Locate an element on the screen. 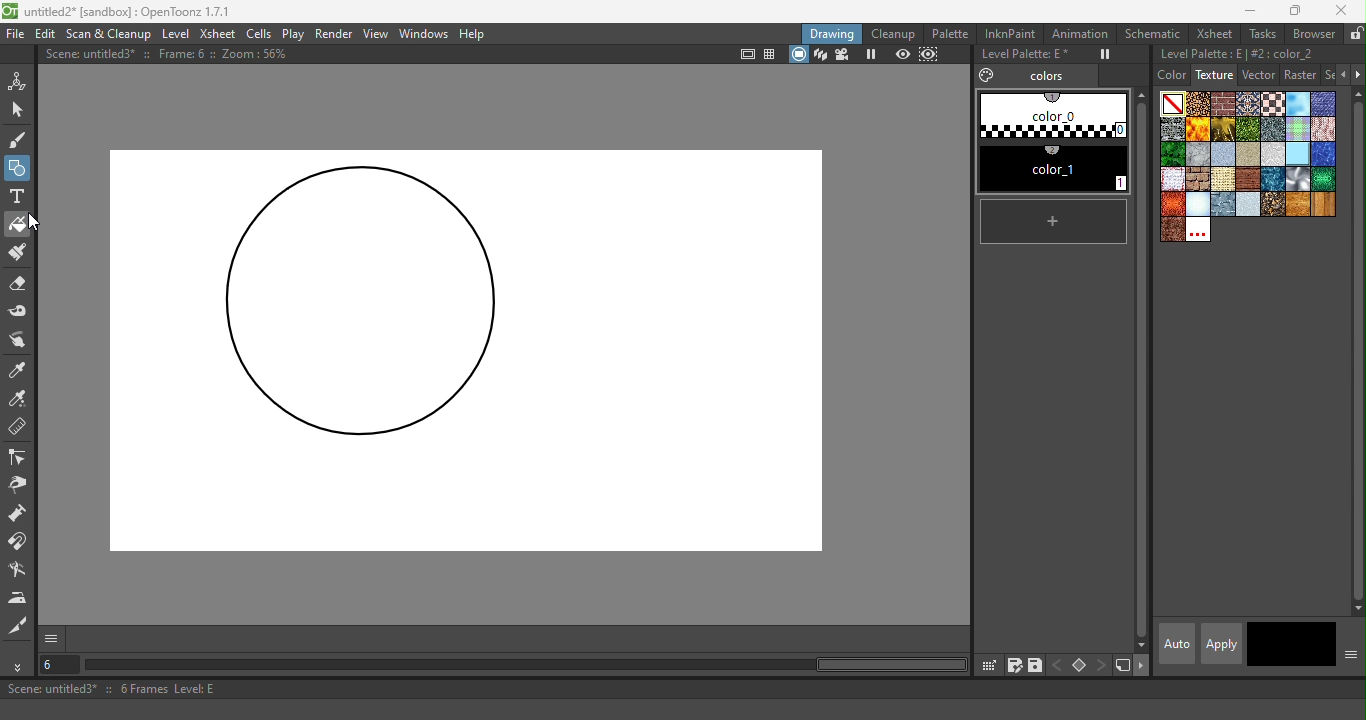  Finger tool is located at coordinates (21, 339).